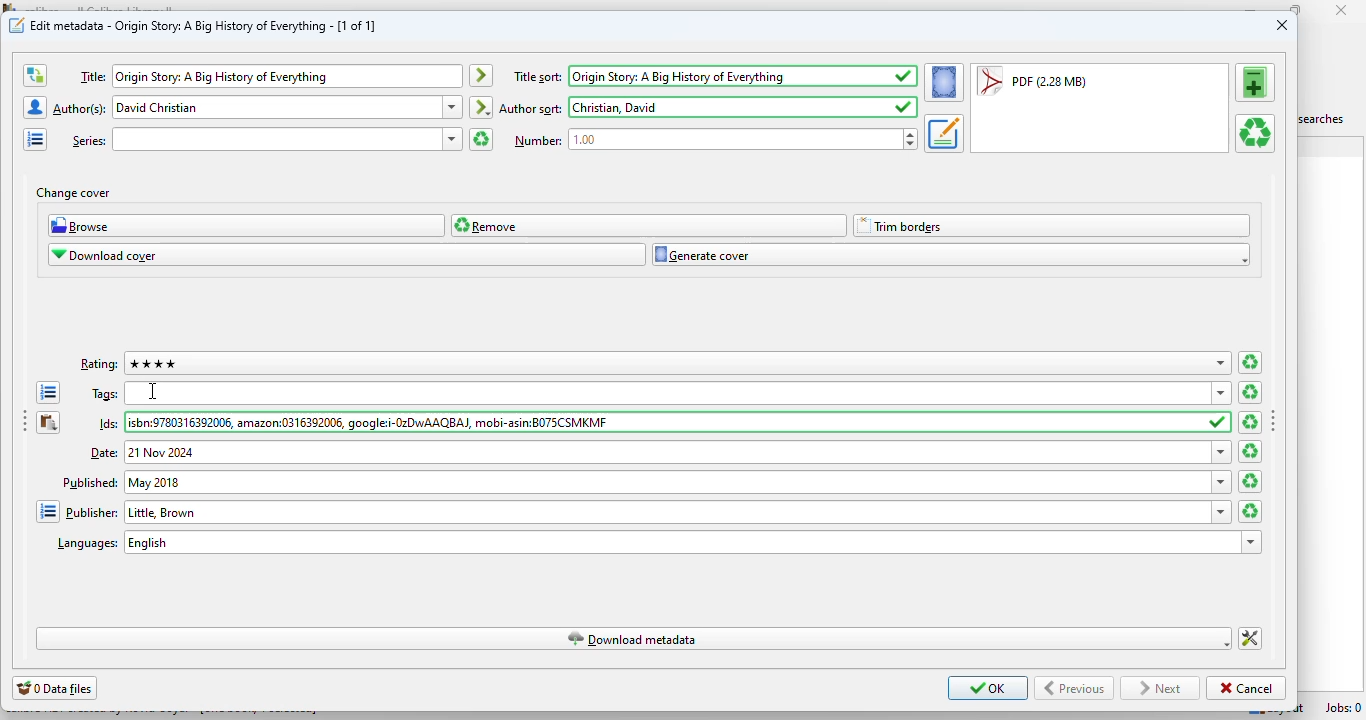  Describe the element at coordinates (204, 25) in the screenshot. I see `edit metadata - Origin Story: A Big History of Everything - [1 of 1]` at that location.